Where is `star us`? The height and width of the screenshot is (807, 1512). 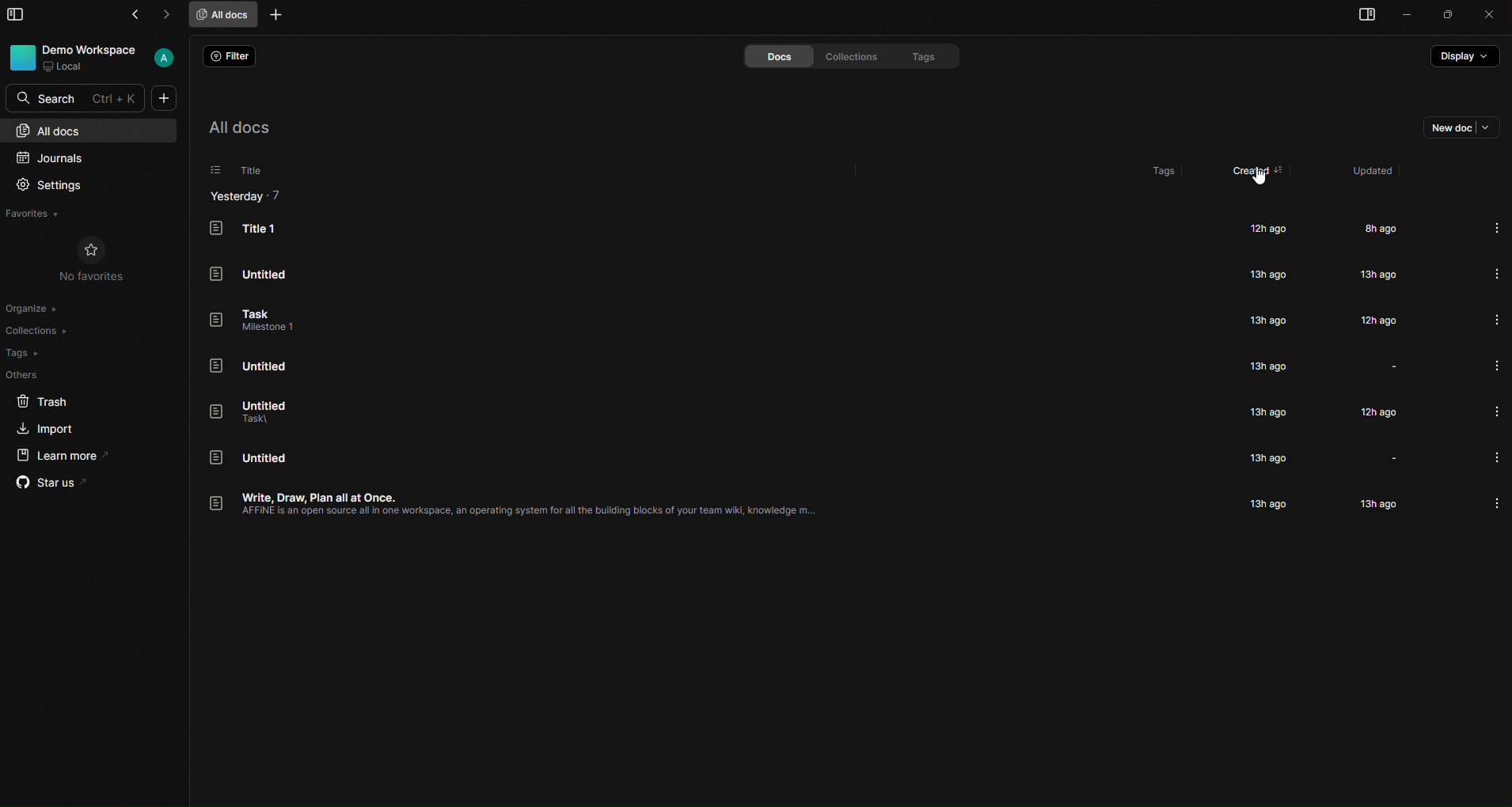 star us is located at coordinates (58, 483).